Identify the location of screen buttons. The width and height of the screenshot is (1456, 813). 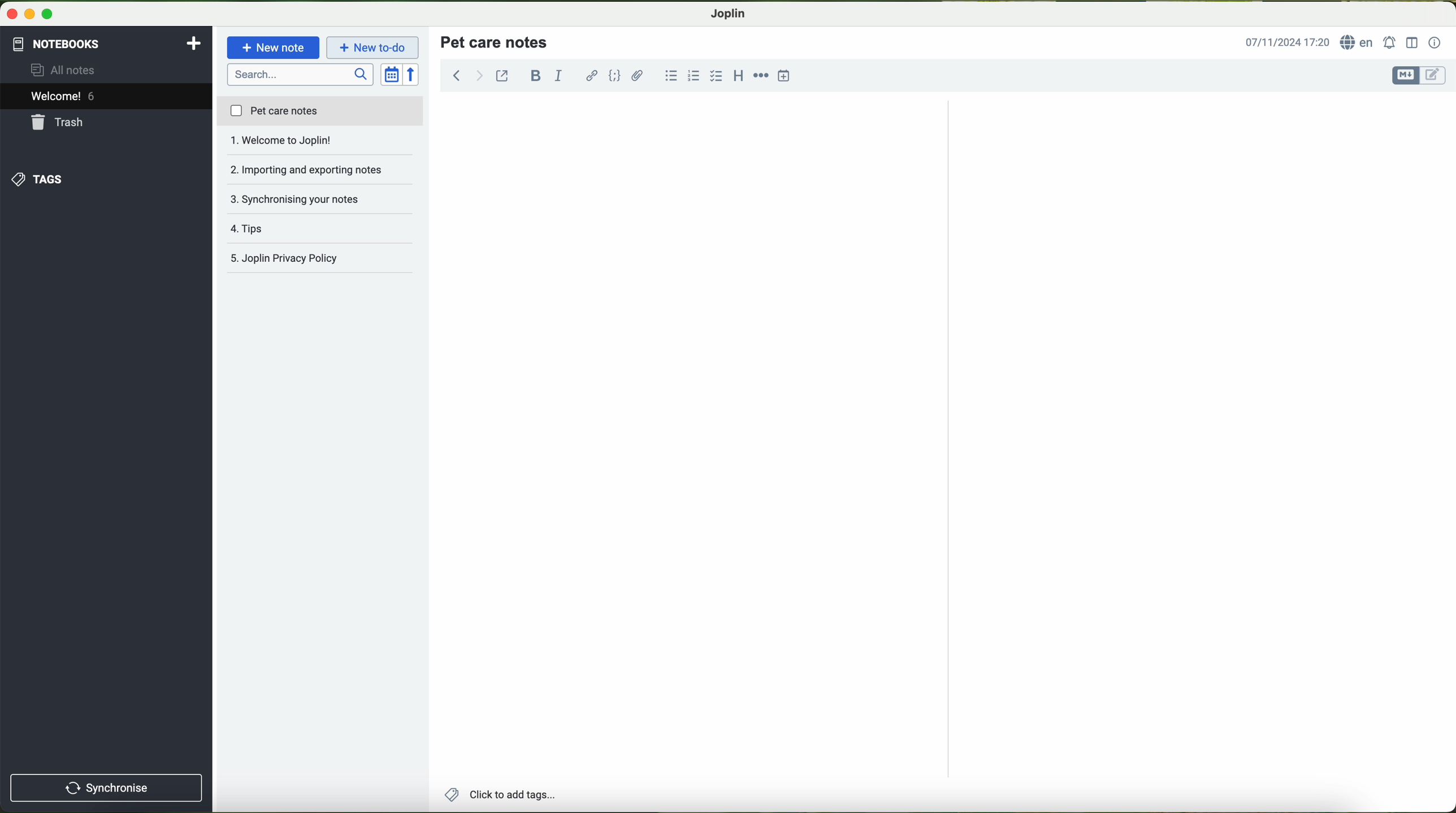
(28, 15).